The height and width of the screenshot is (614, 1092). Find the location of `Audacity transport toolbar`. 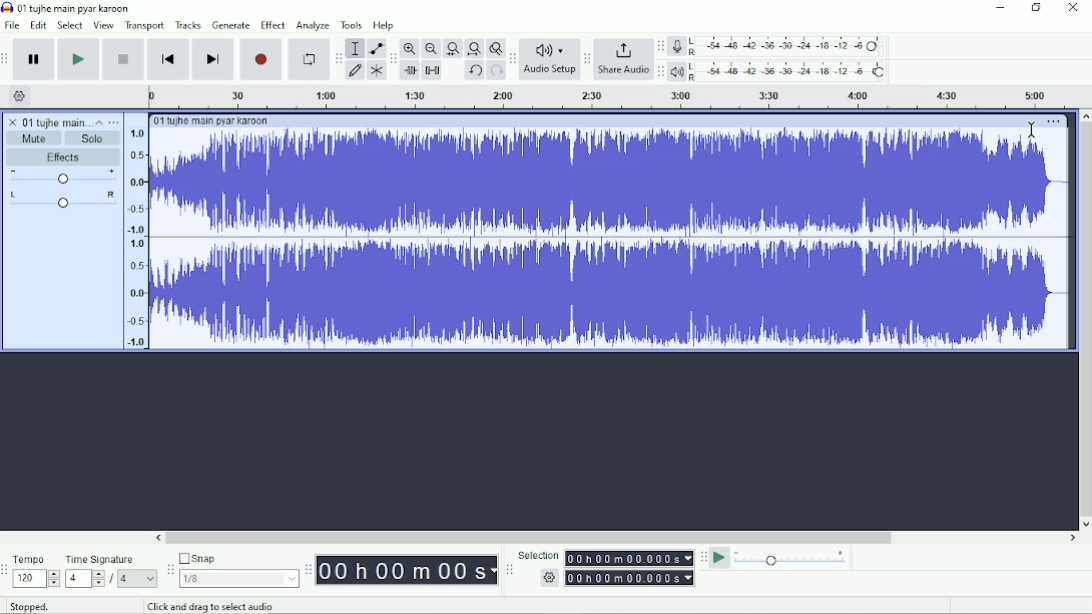

Audacity transport toolbar is located at coordinates (7, 59).